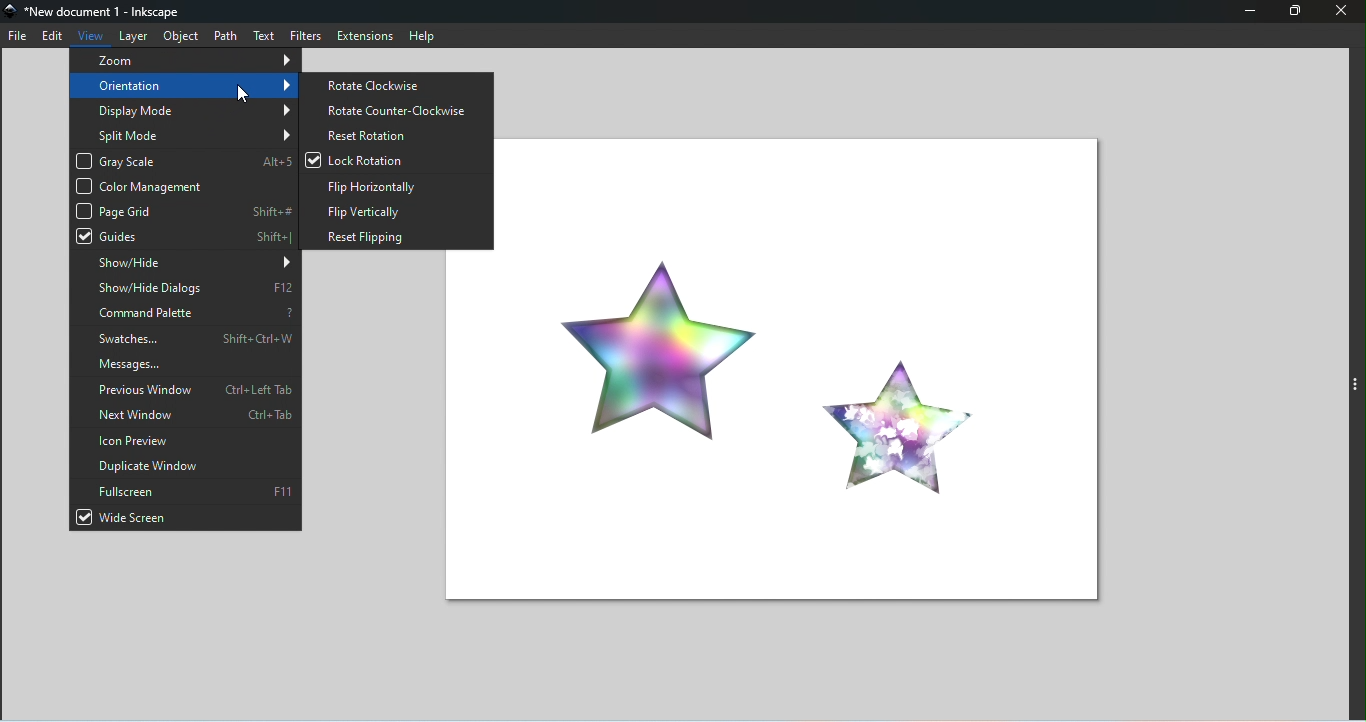  What do you see at coordinates (183, 237) in the screenshot?
I see `Guides` at bounding box center [183, 237].